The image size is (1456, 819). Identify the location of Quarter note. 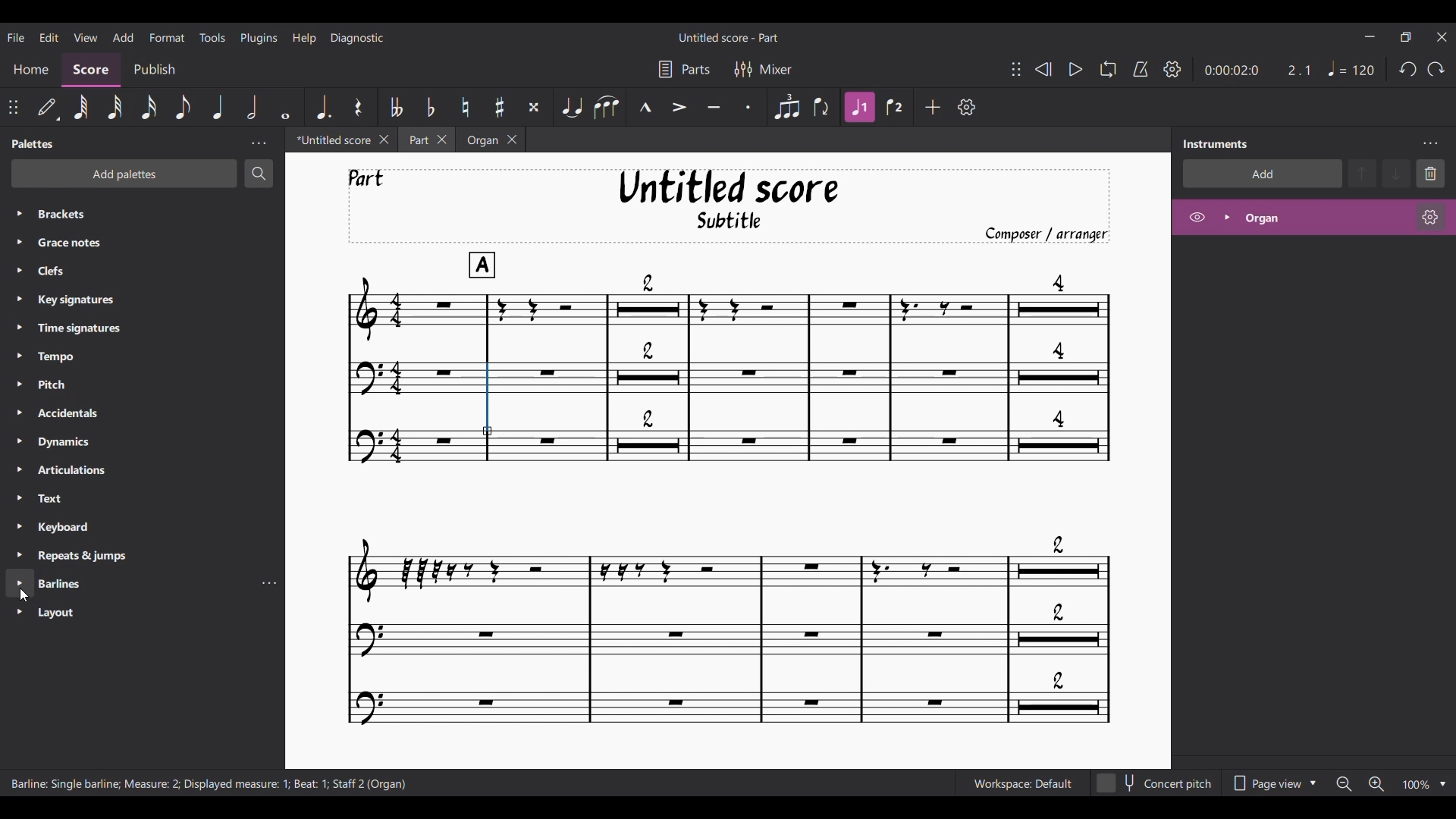
(1352, 68).